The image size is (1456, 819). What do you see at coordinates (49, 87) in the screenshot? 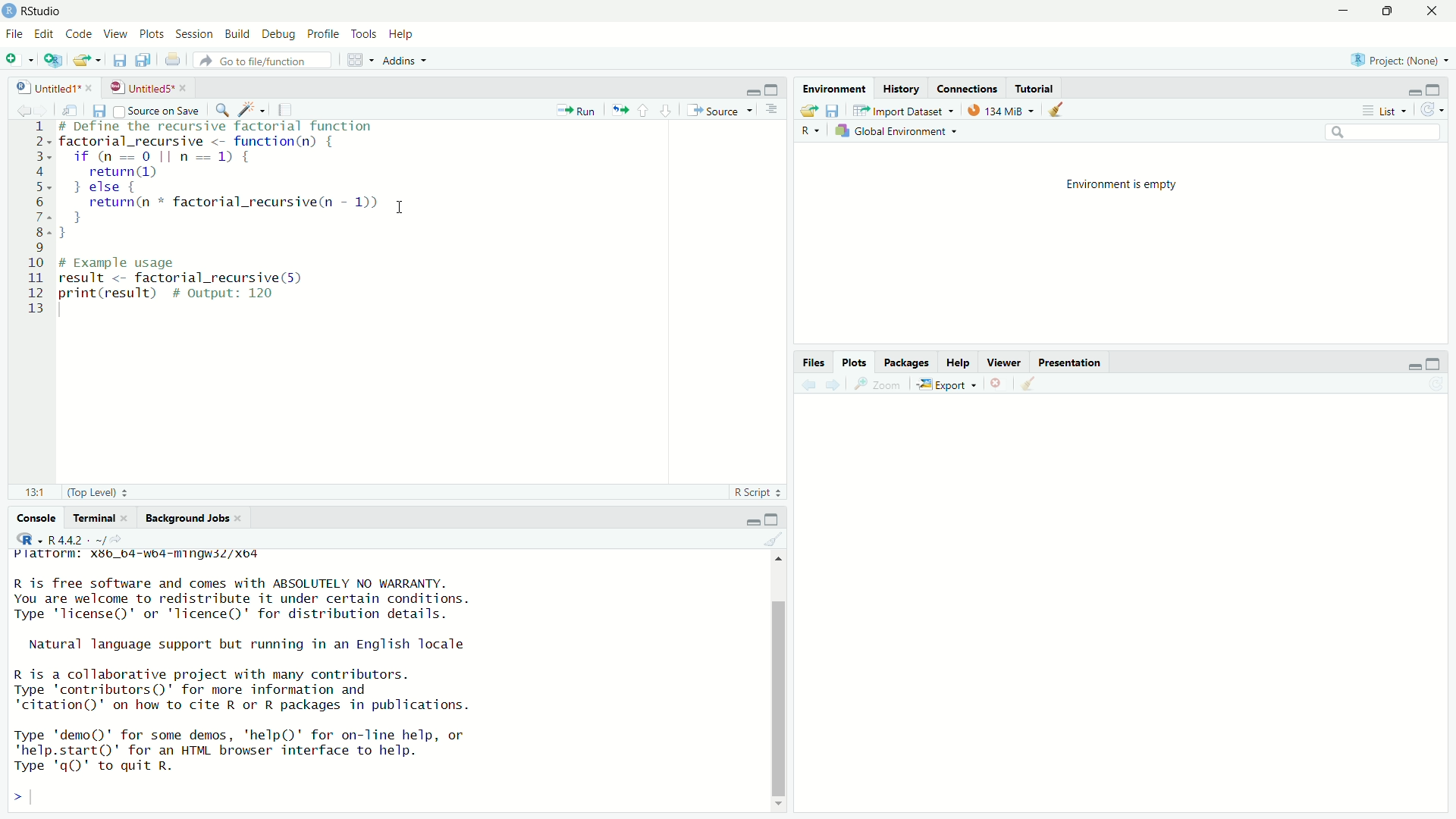
I see `Untitled1*` at bounding box center [49, 87].